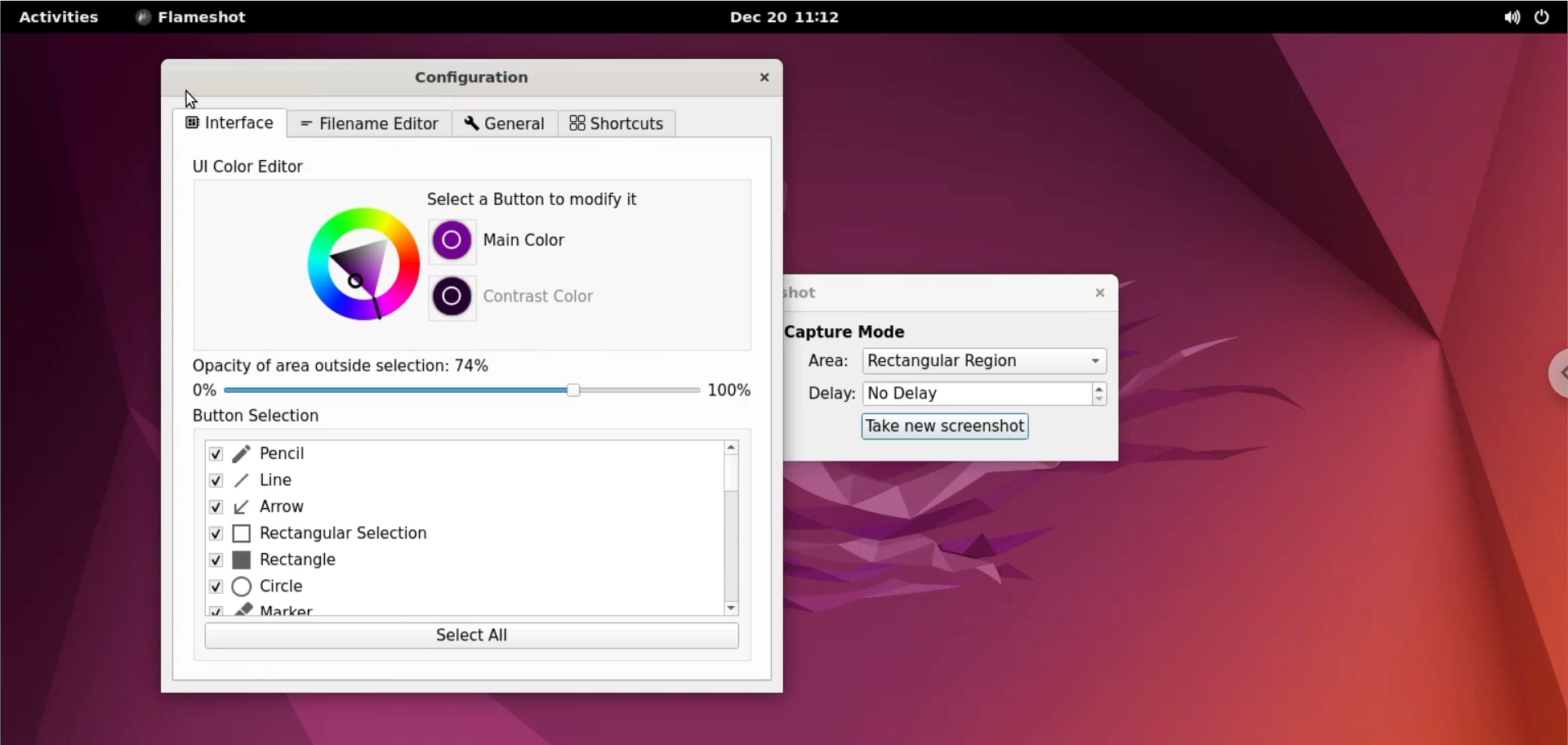  I want to click on delay, so click(817, 396).